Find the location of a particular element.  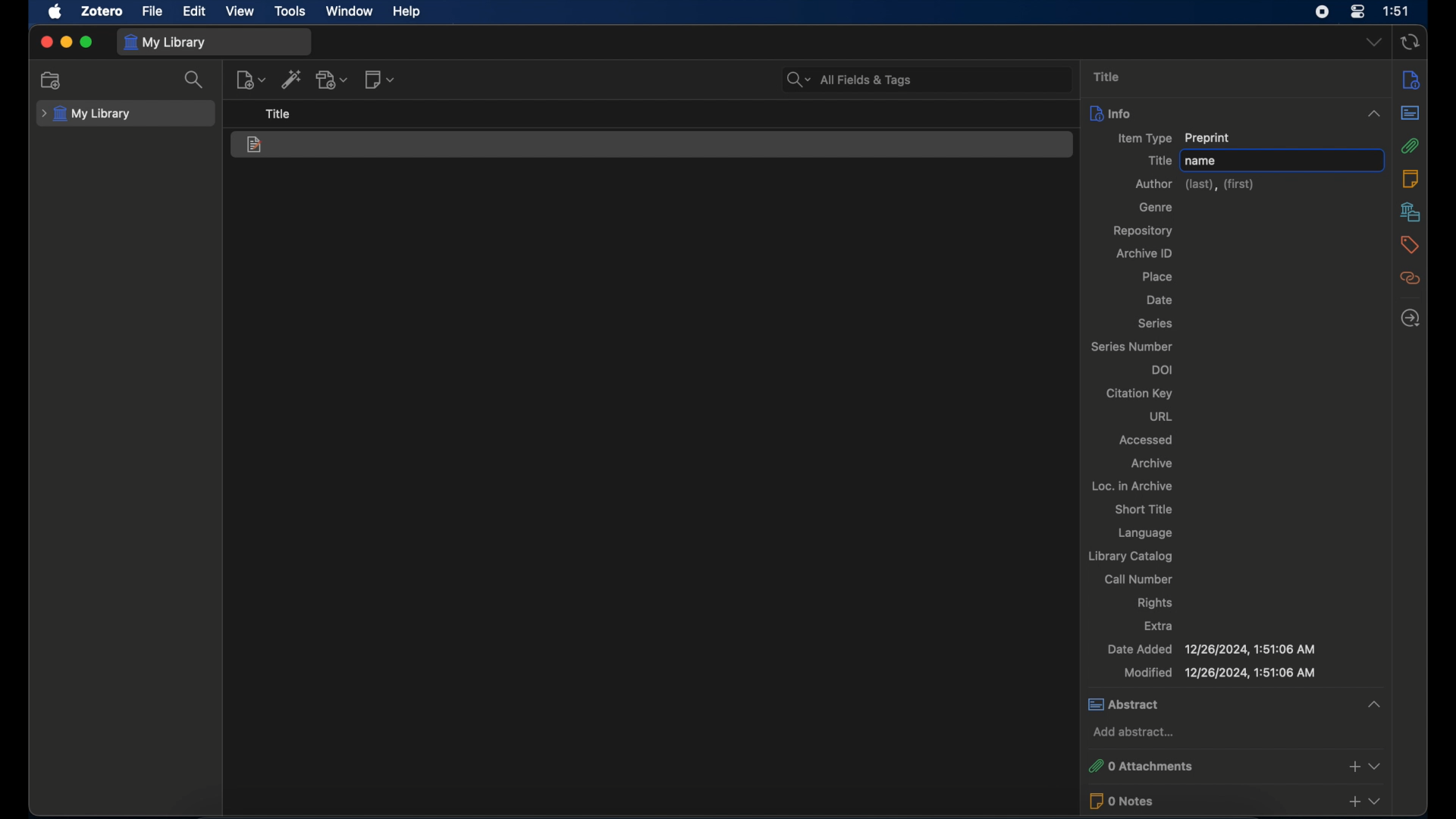

abstract is located at coordinates (1233, 704).